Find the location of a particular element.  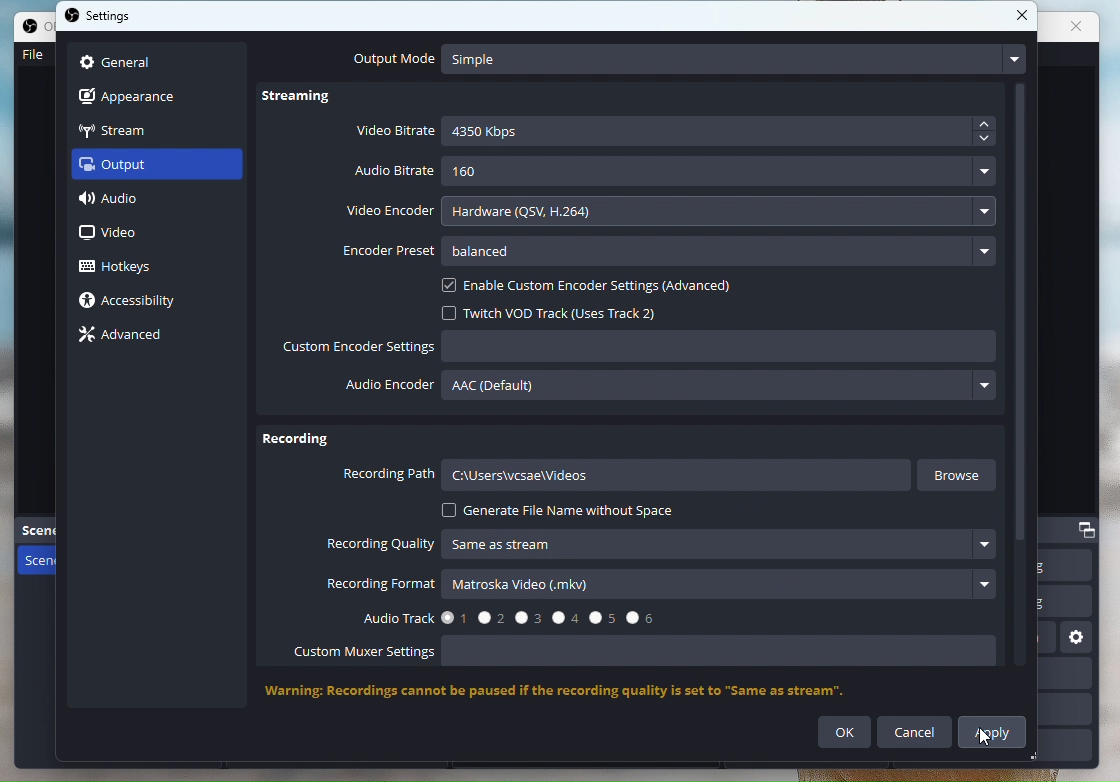

Recording path is located at coordinates (626, 478).